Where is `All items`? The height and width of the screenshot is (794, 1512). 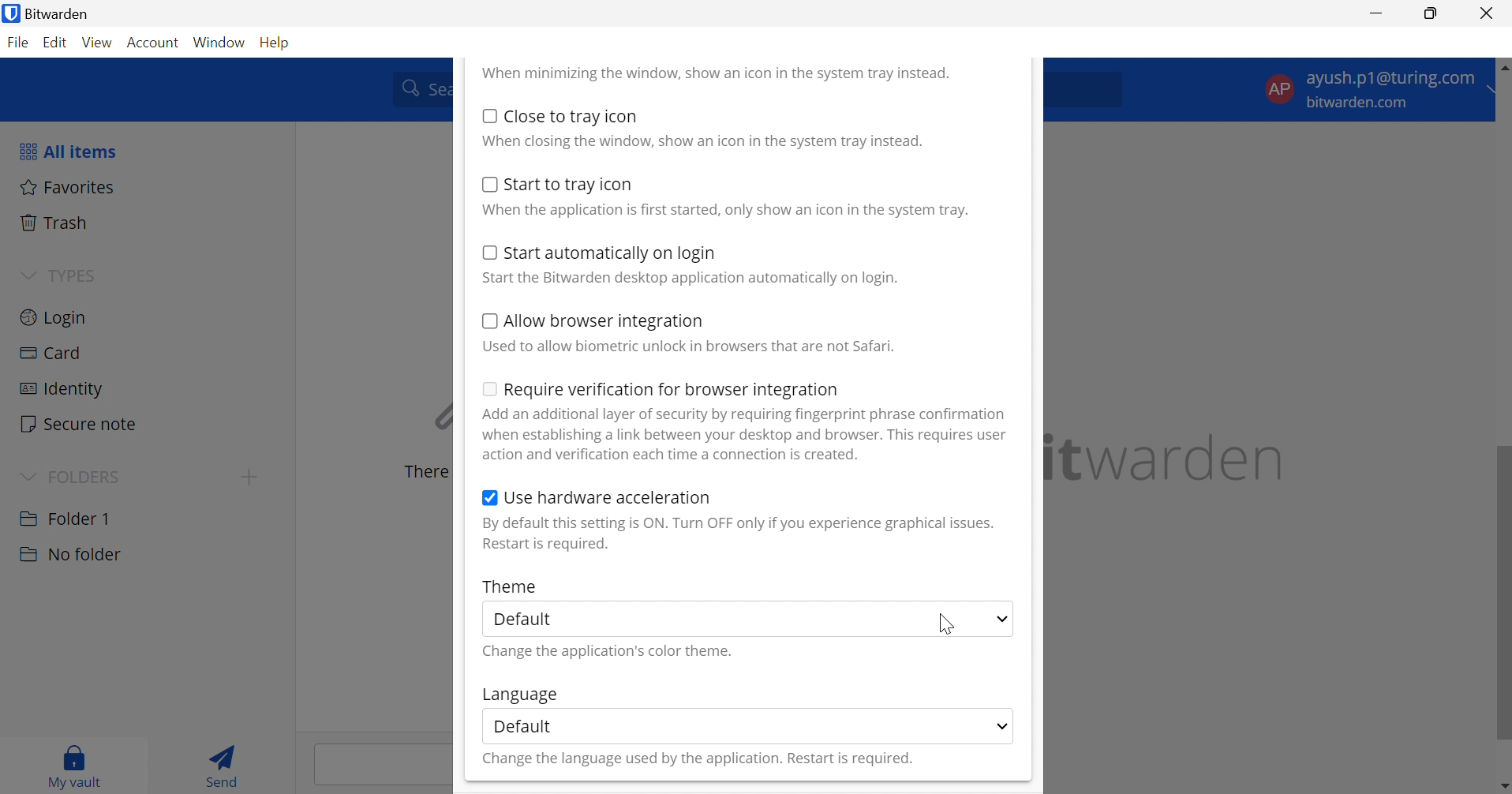 All items is located at coordinates (66, 151).